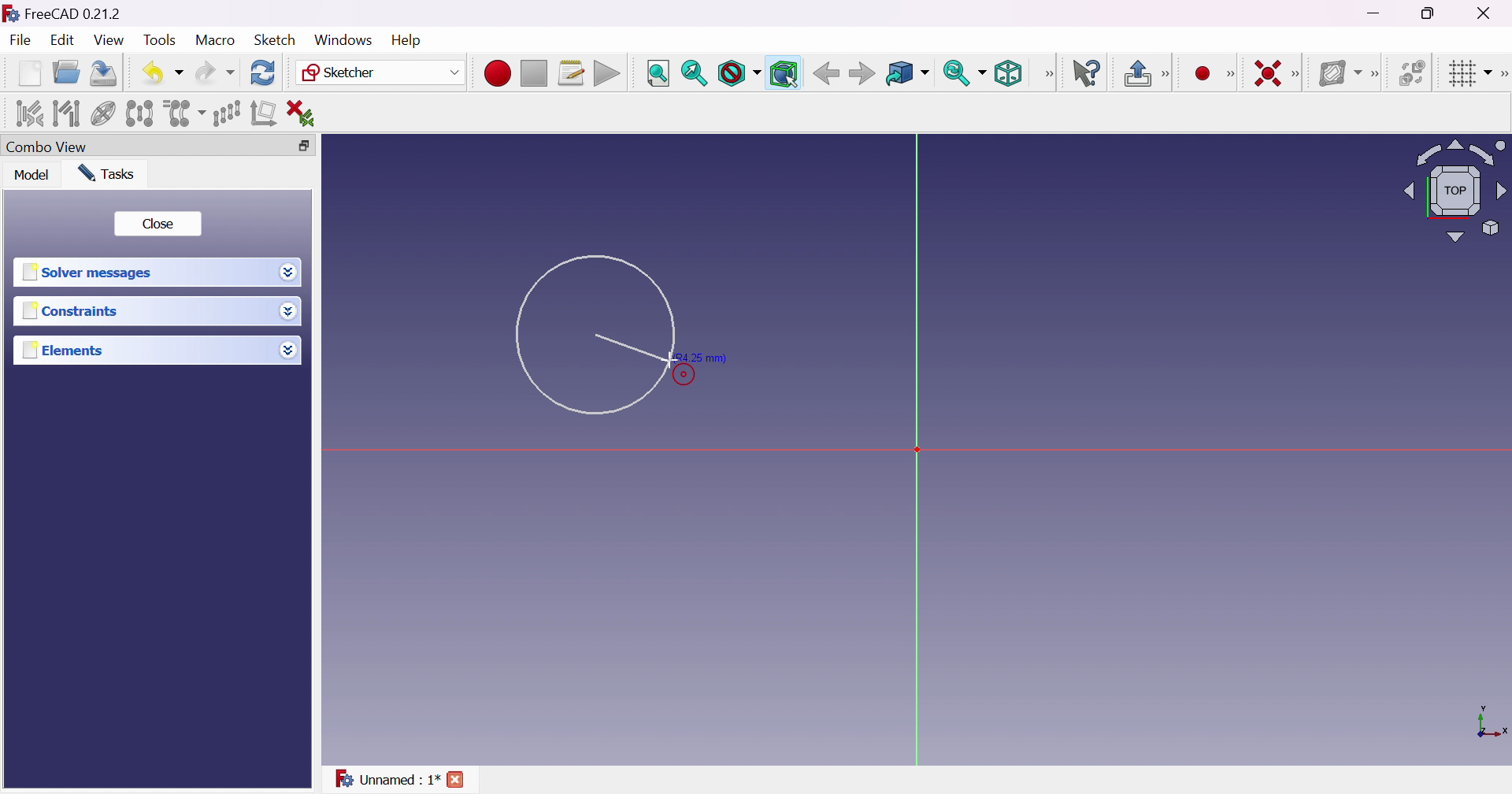  What do you see at coordinates (263, 73) in the screenshot?
I see `Refresh` at bounding box center [263, 73].